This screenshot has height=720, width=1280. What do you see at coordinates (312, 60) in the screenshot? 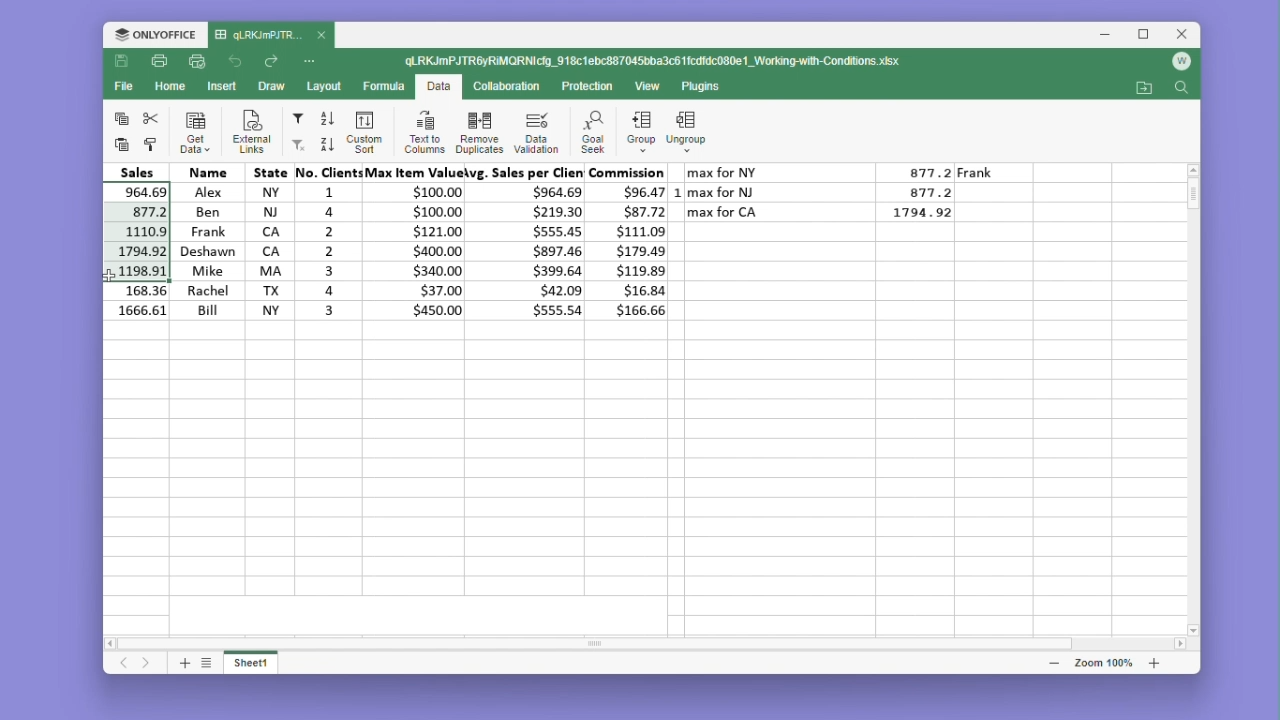
I see `More options` at bounding box center [312, 60].